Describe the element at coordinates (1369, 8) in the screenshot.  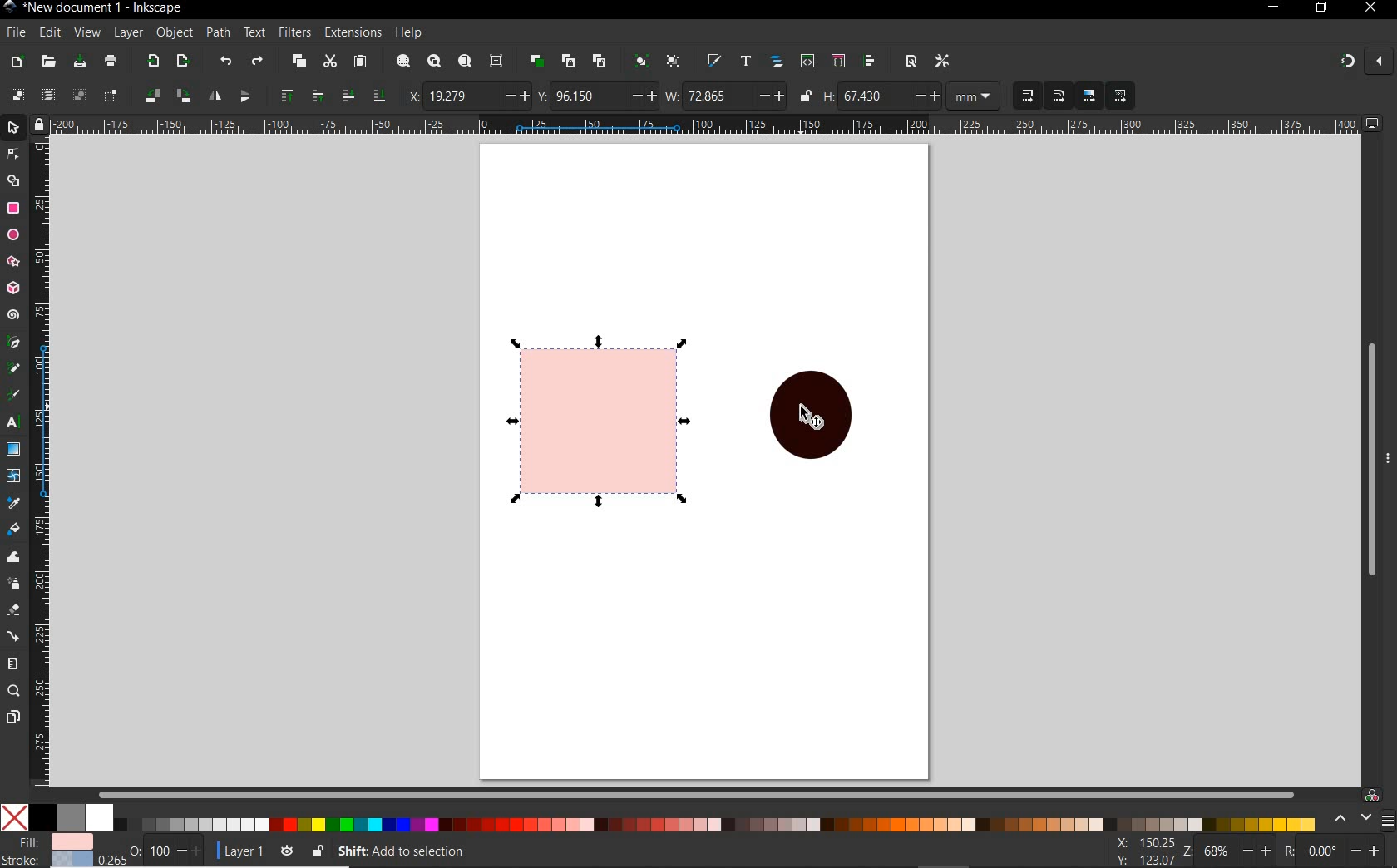
I see `close` at that location.